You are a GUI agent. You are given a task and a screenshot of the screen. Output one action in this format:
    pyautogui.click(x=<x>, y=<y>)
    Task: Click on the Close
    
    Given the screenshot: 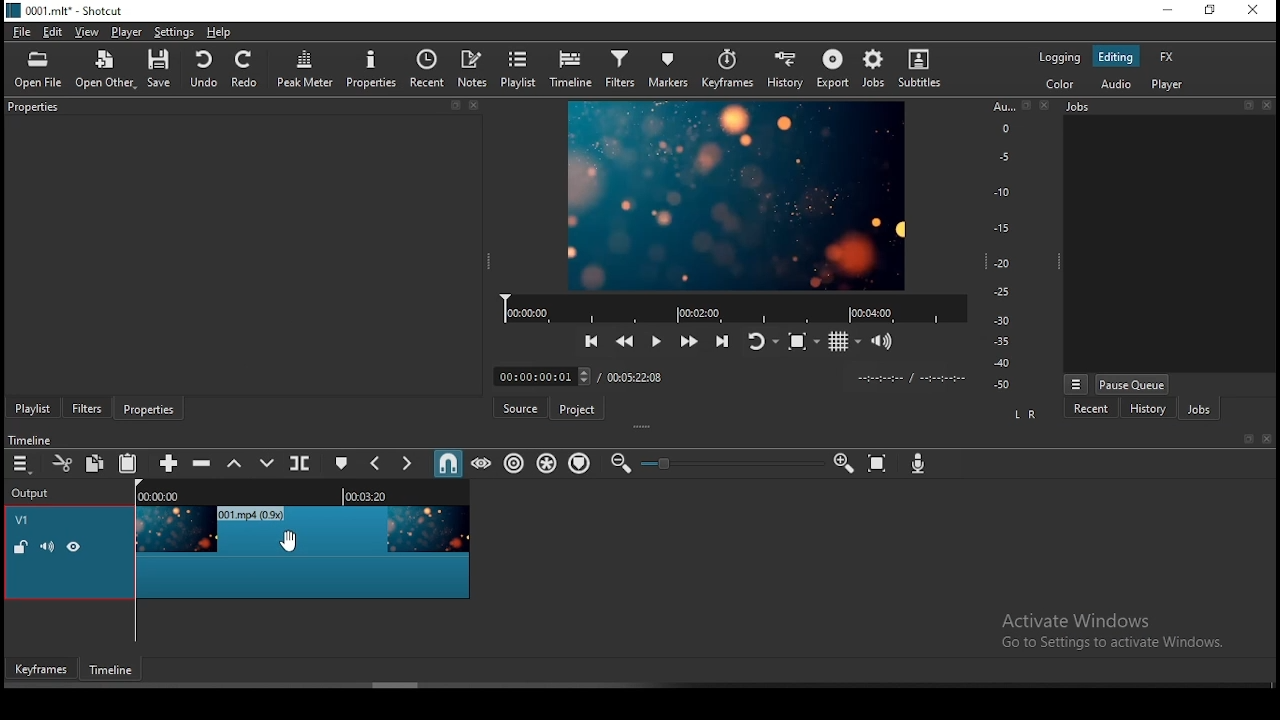 What is the action you would take?
    pyautogui.click(x=1046, y=105)
    